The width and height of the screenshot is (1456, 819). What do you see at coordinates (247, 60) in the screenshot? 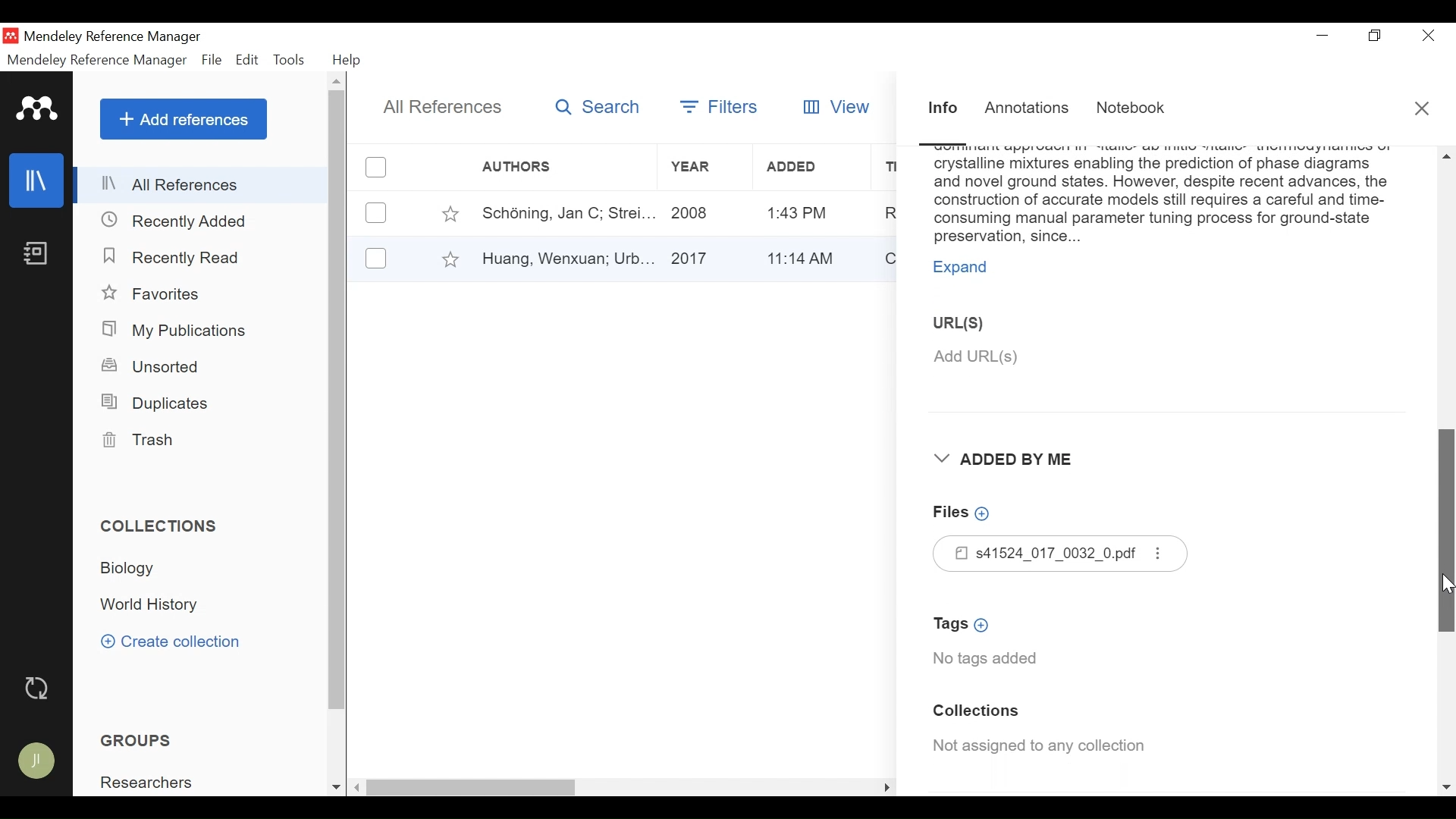
I see `Edit` at bounding box center [247, 60].